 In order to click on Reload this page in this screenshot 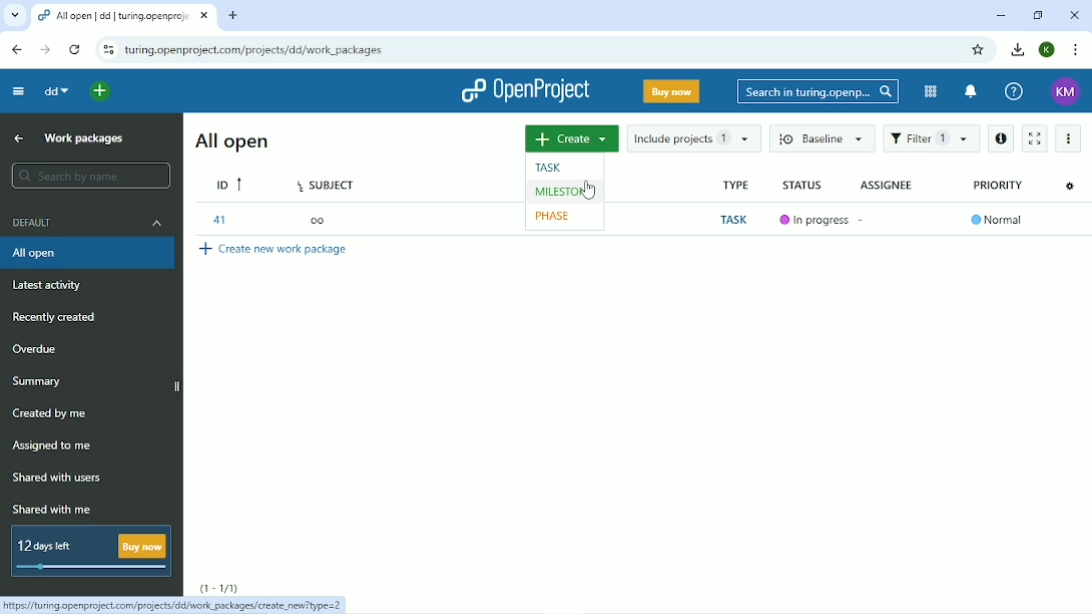, I will do `click(76, 49)`.